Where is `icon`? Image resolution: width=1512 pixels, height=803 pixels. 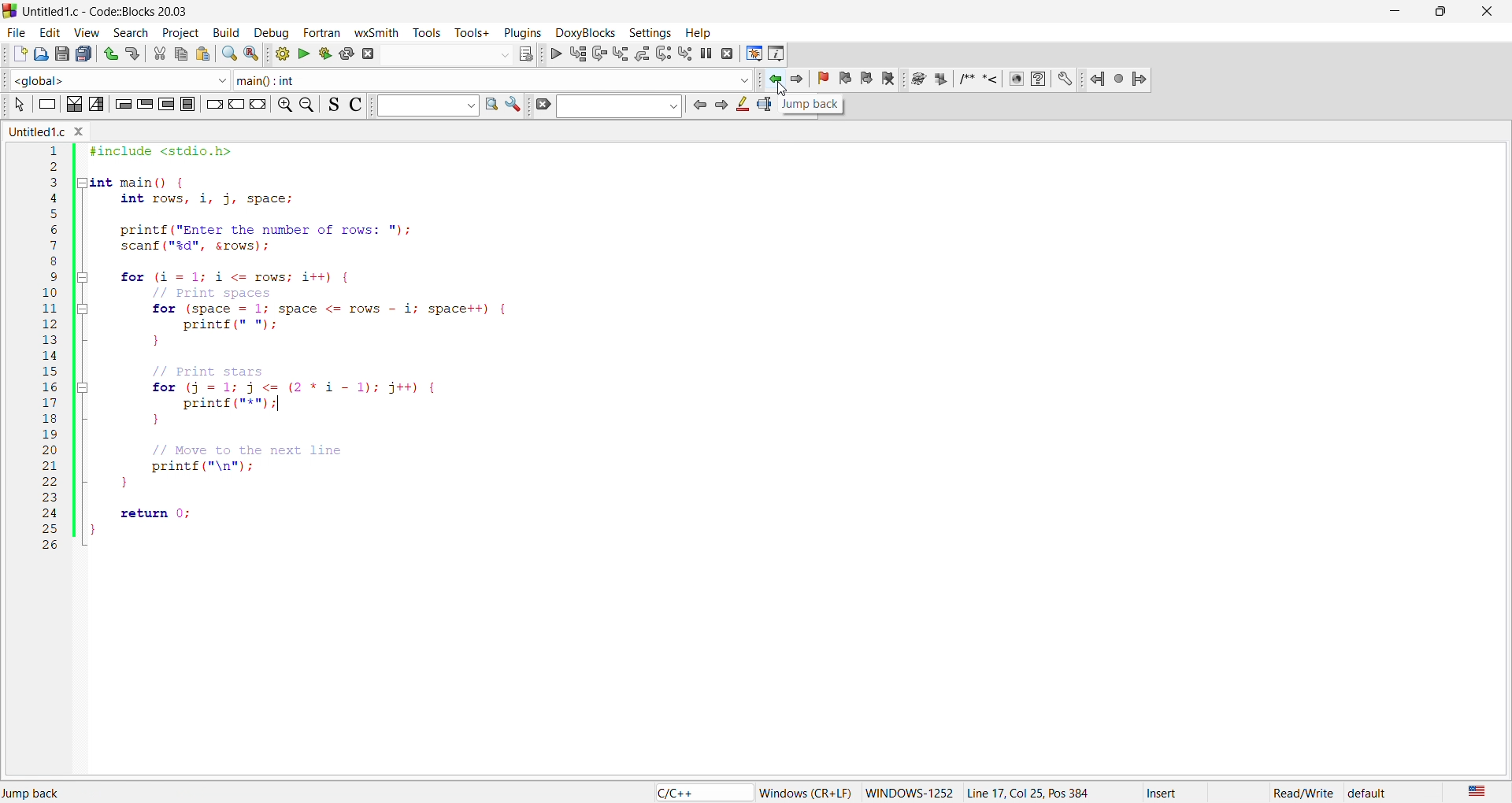
icon is located at coordinates (234, 104).